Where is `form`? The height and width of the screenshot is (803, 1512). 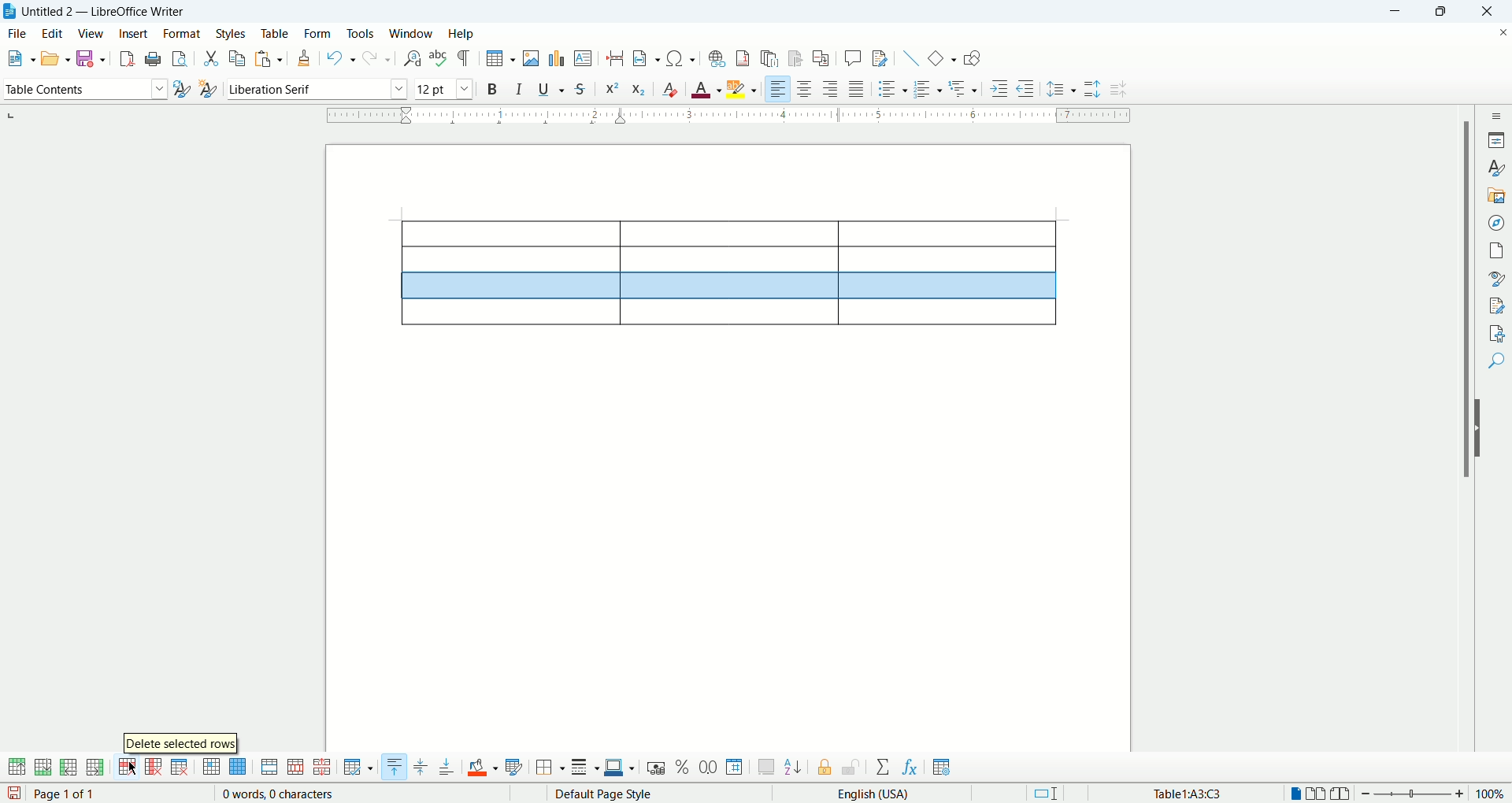
form is located at coordinates (320, 35).